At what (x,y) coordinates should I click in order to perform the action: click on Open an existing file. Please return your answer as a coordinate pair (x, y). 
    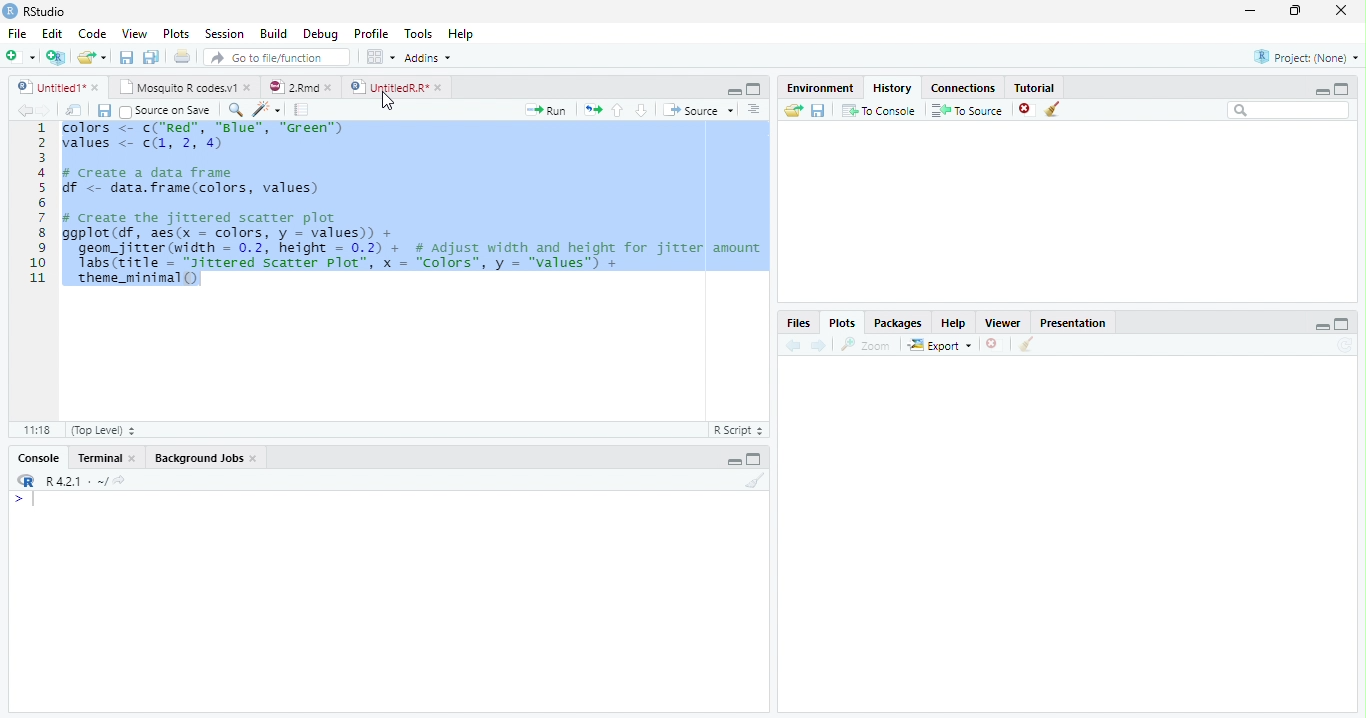
    Looking at the image, I should click on (84, 57).